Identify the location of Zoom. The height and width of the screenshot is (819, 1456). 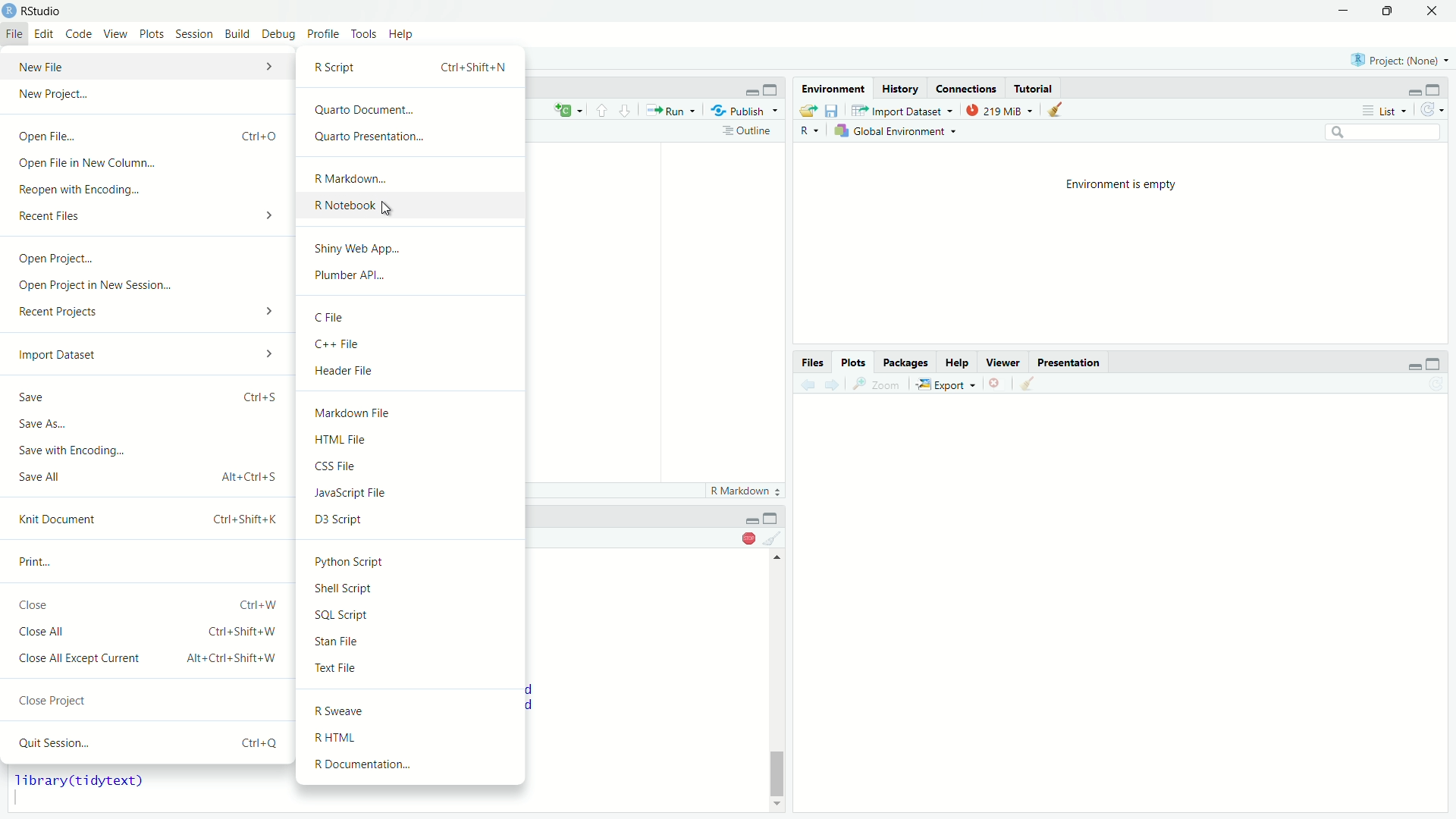
(881, 385).